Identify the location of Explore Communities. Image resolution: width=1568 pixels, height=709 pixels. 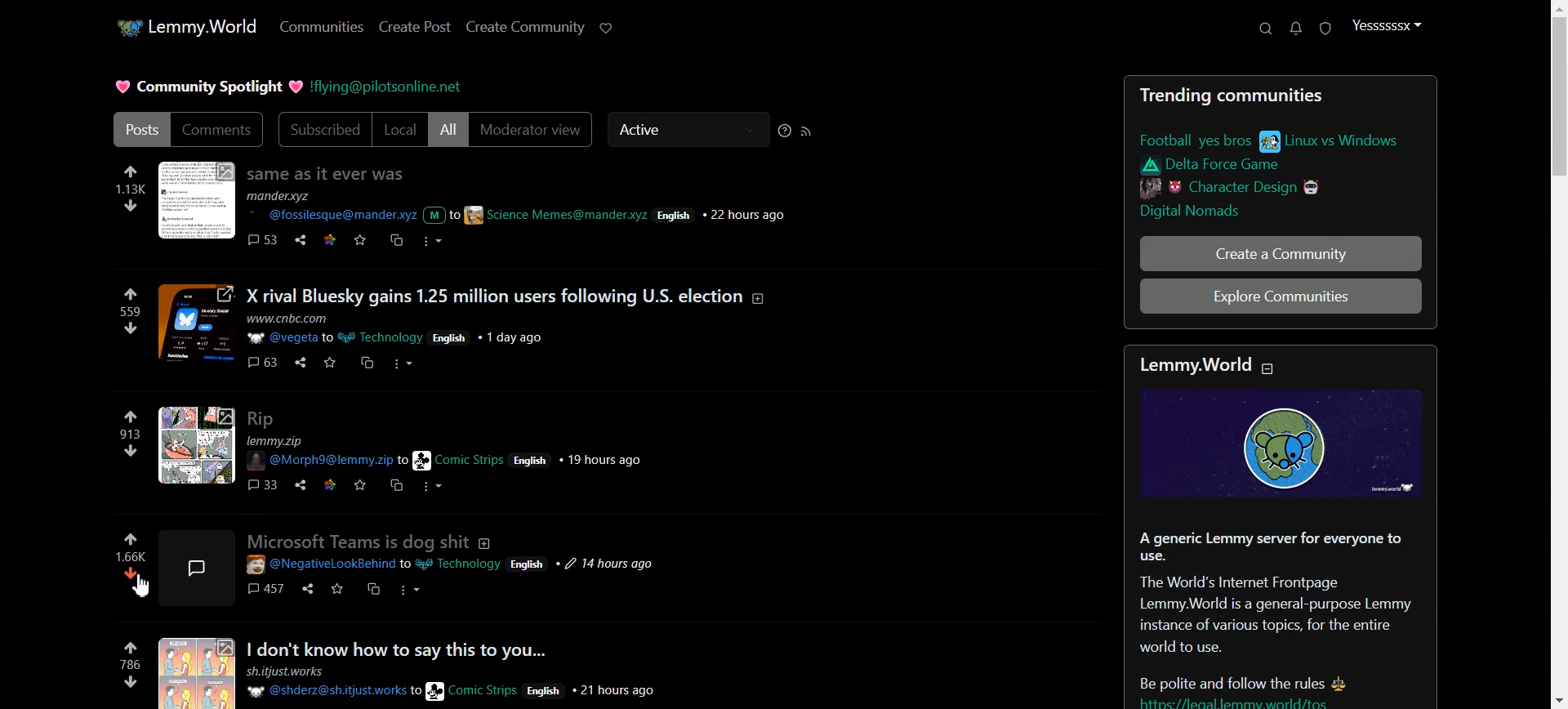
(1279, 297).